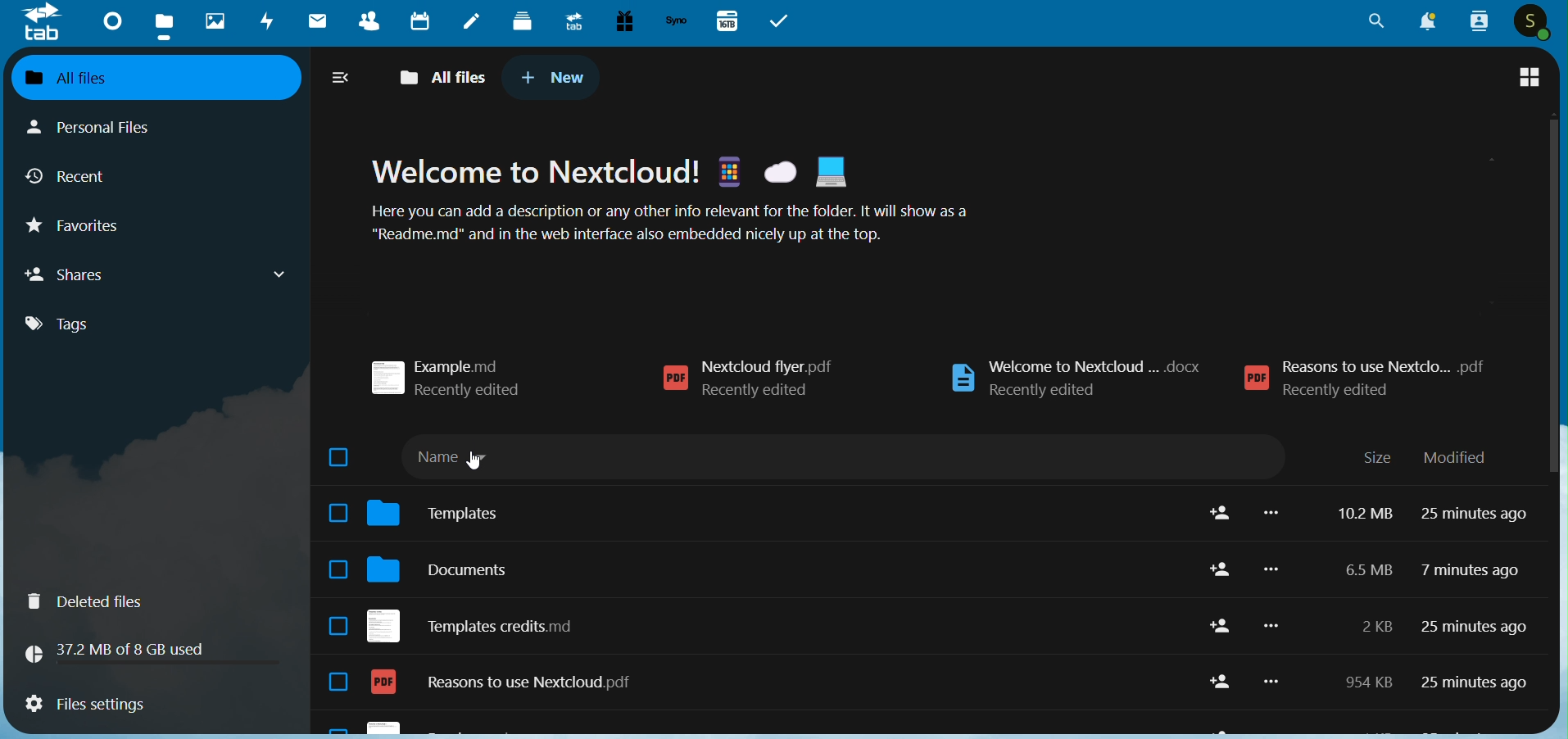 The height and width of the screenshot is (739, 1568). Describe the element at coordinates (371, 20) in the screenshot. I see `Contacts` at that location.